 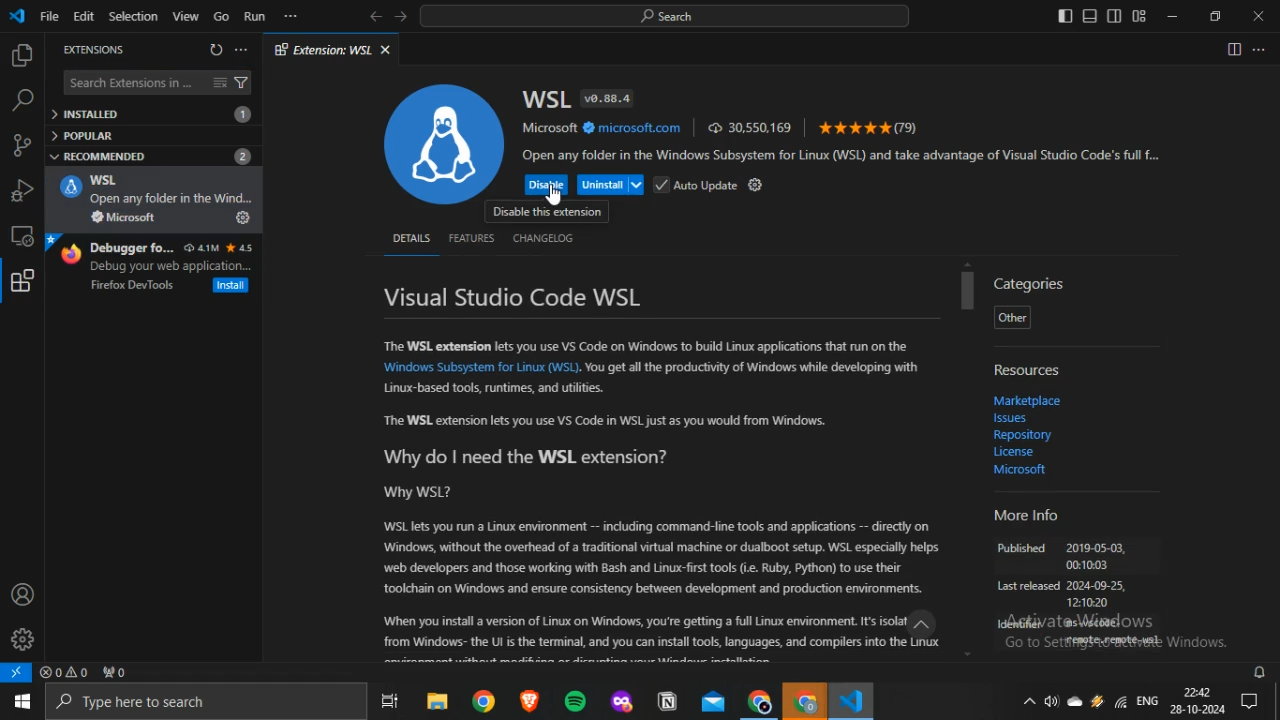 What do you see at coordinates (205, 702) in the screenshot?
I see `Type here to search` at bounding box center [205, 702].